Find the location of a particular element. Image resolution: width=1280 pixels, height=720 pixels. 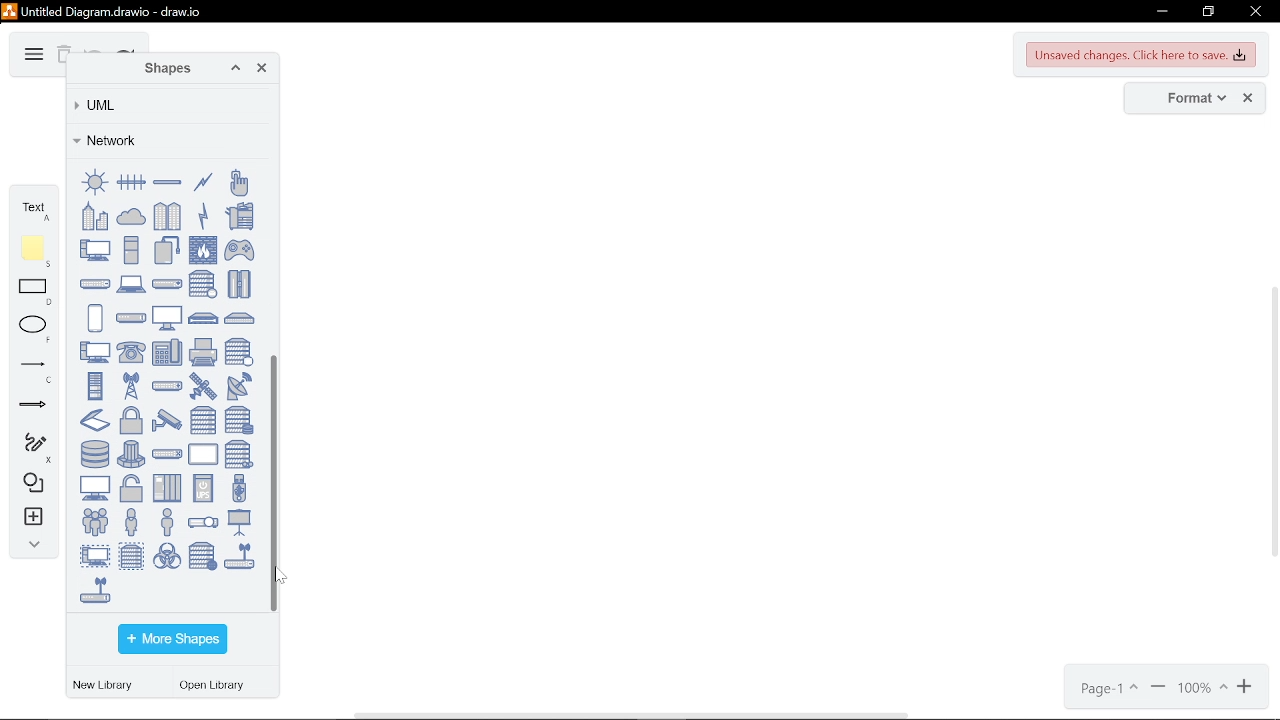

tablet is located at coordinates (203, 454).